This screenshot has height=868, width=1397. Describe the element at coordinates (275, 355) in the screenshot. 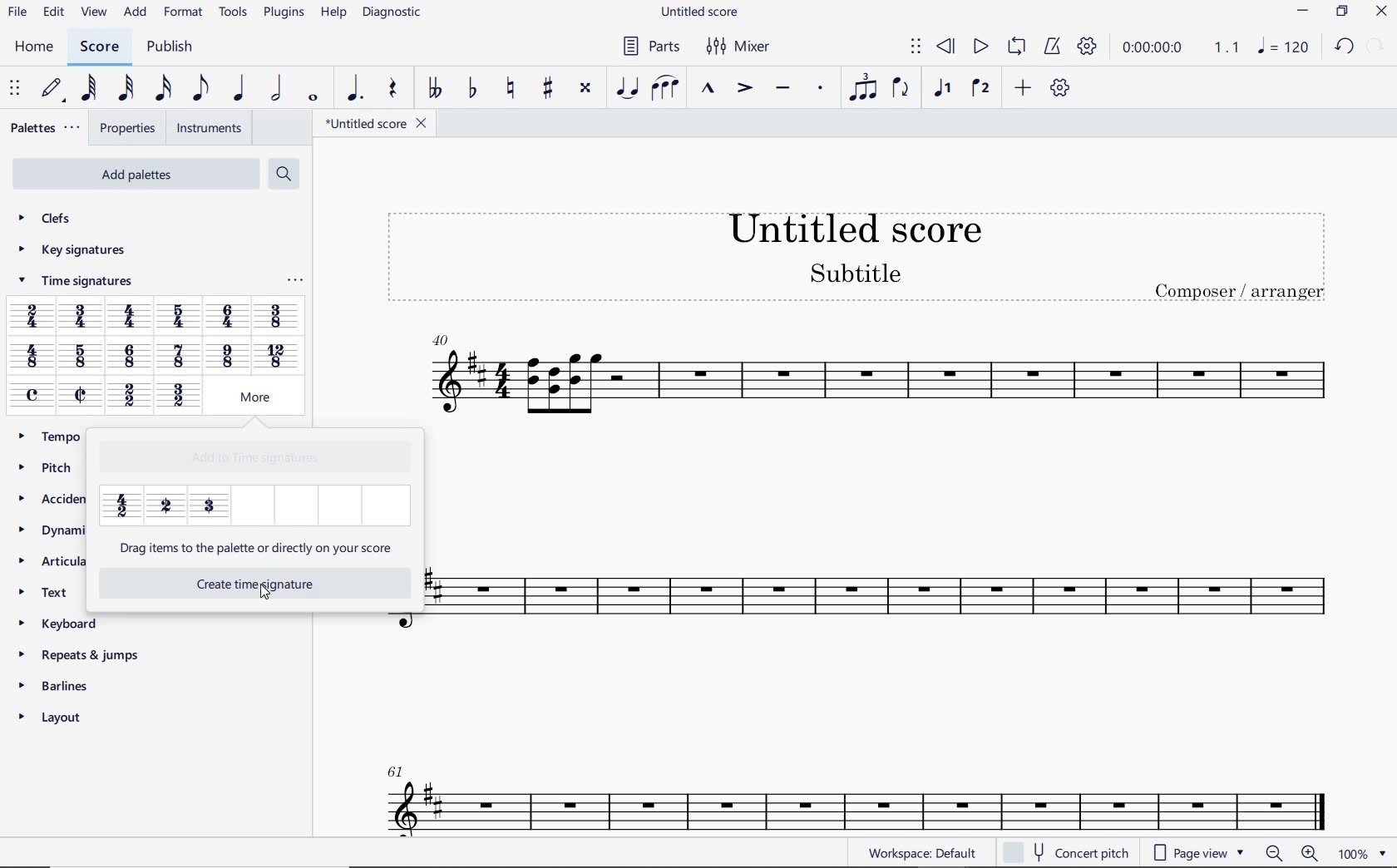

I see `12/8` at that location.